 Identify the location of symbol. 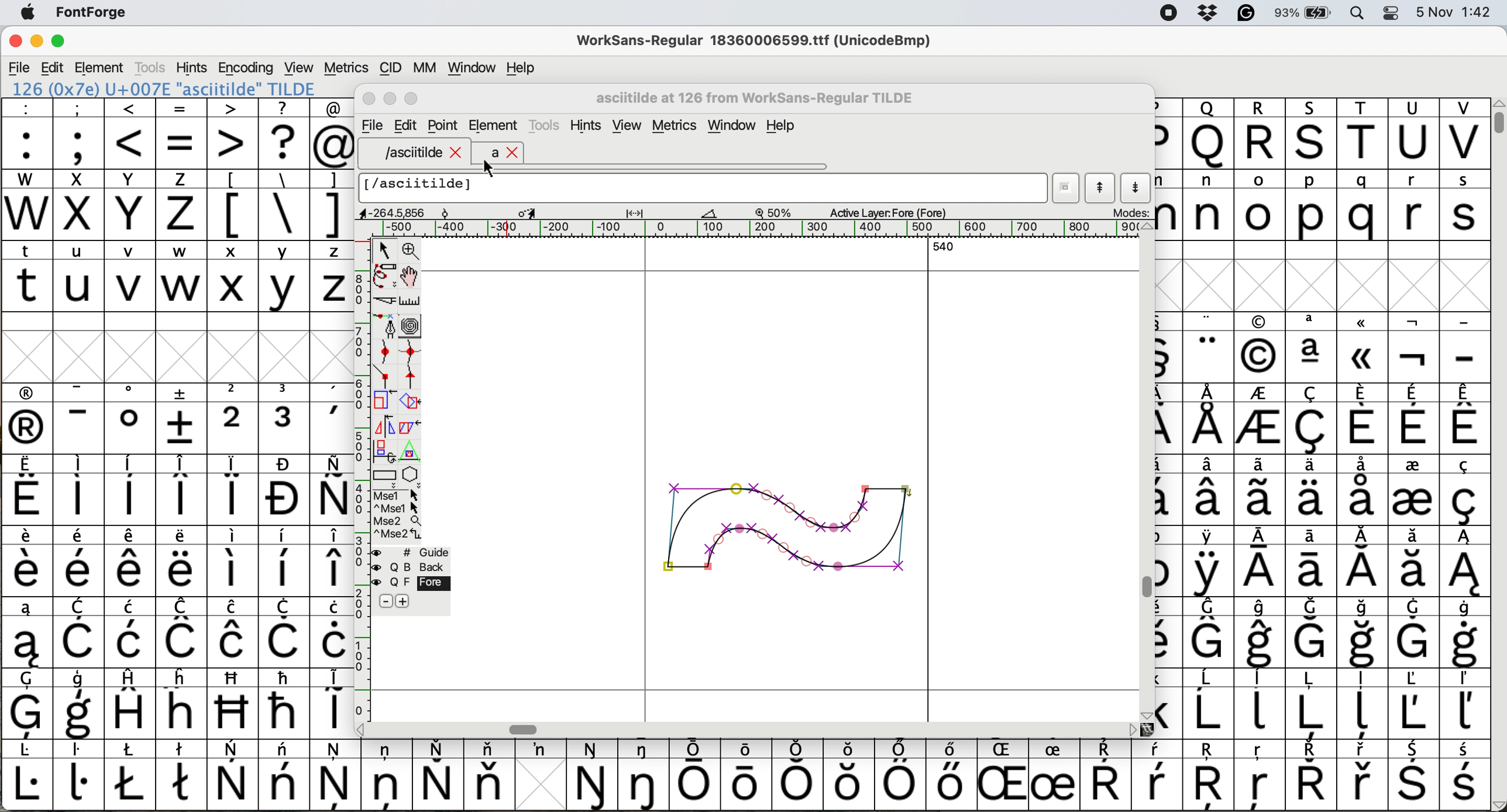
(1260, 563).